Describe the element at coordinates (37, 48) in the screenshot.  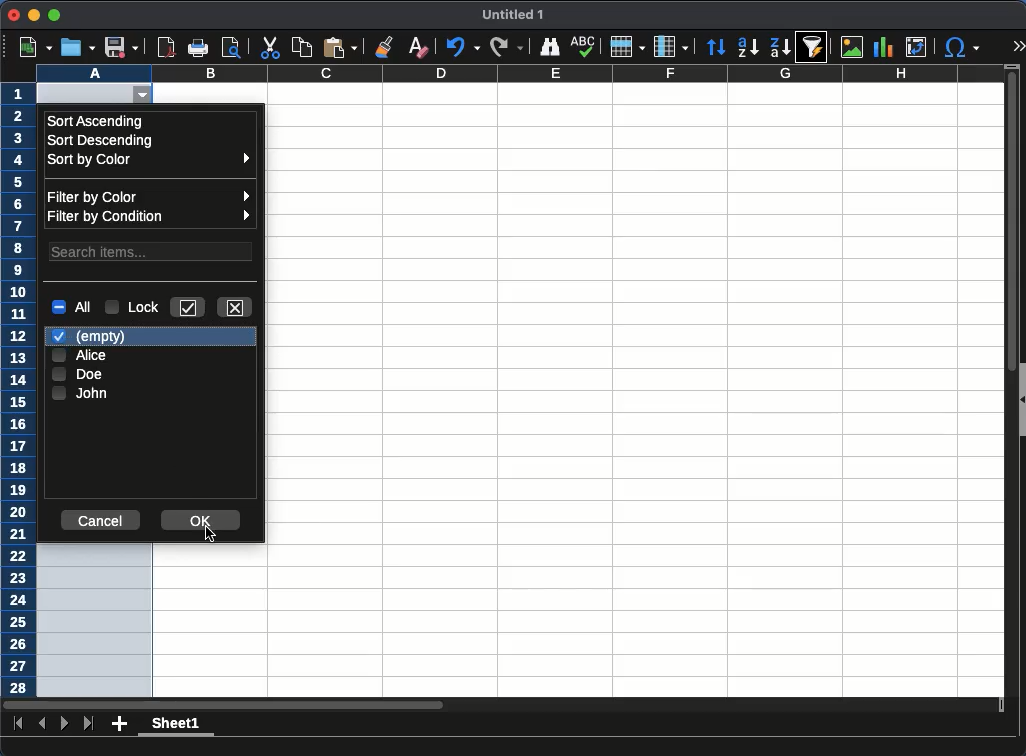
I see `new` at that location.